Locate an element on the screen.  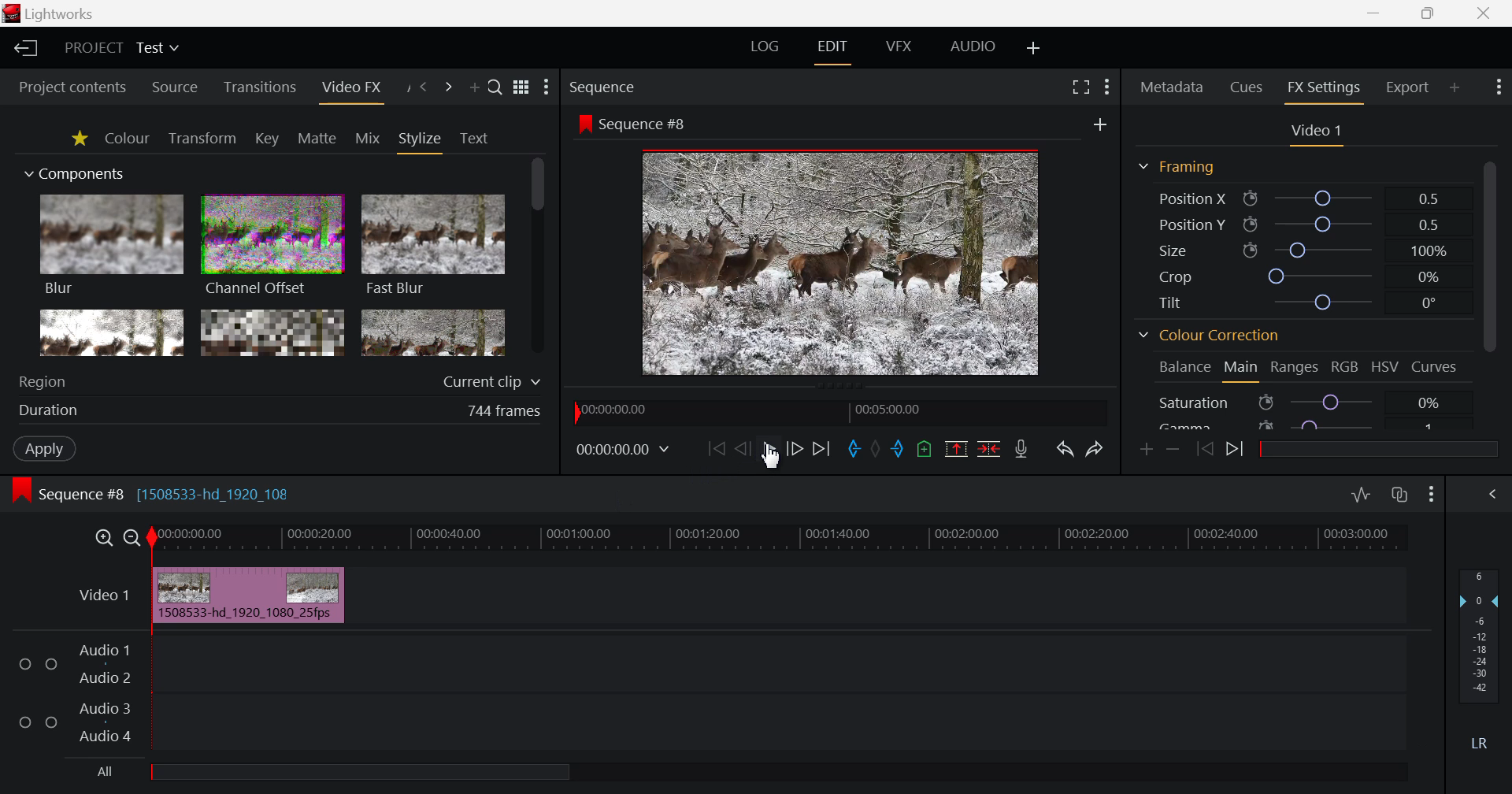
All is located at coordinates (337, 773).